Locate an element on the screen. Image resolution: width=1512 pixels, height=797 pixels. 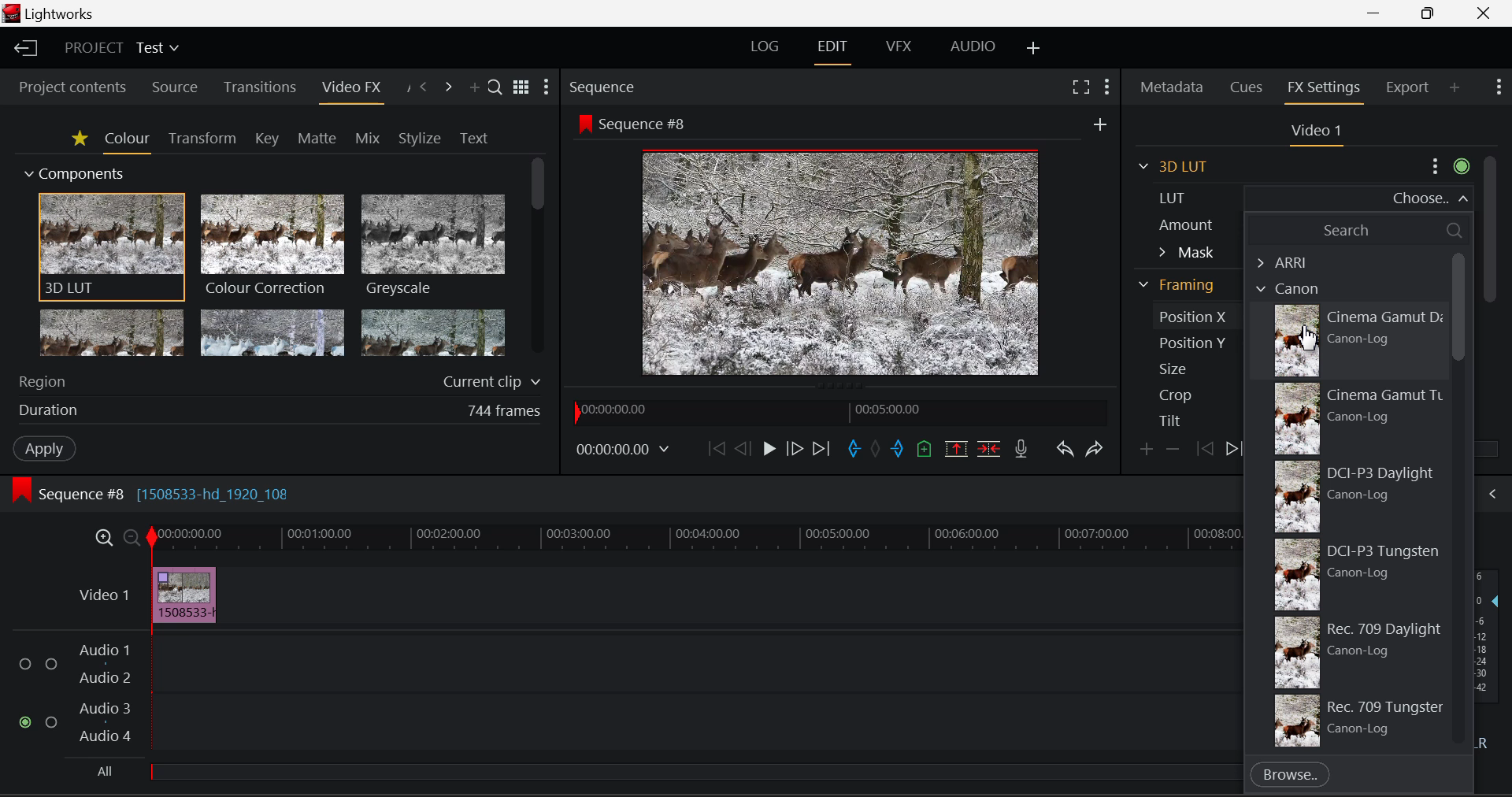
Crop is located at coordinates (1176, 395).